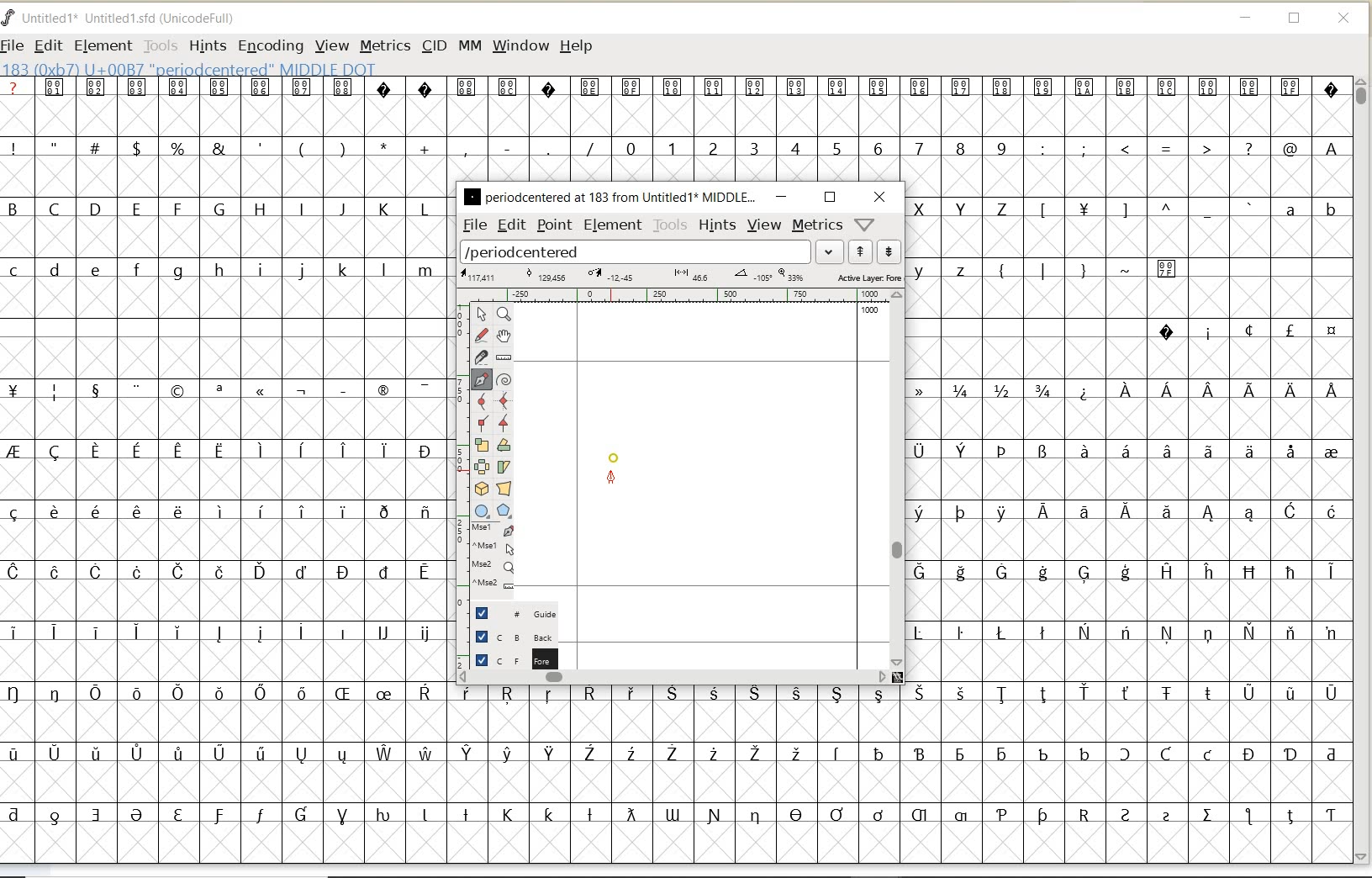  I want to click on flip the selection, so click(483, 467).